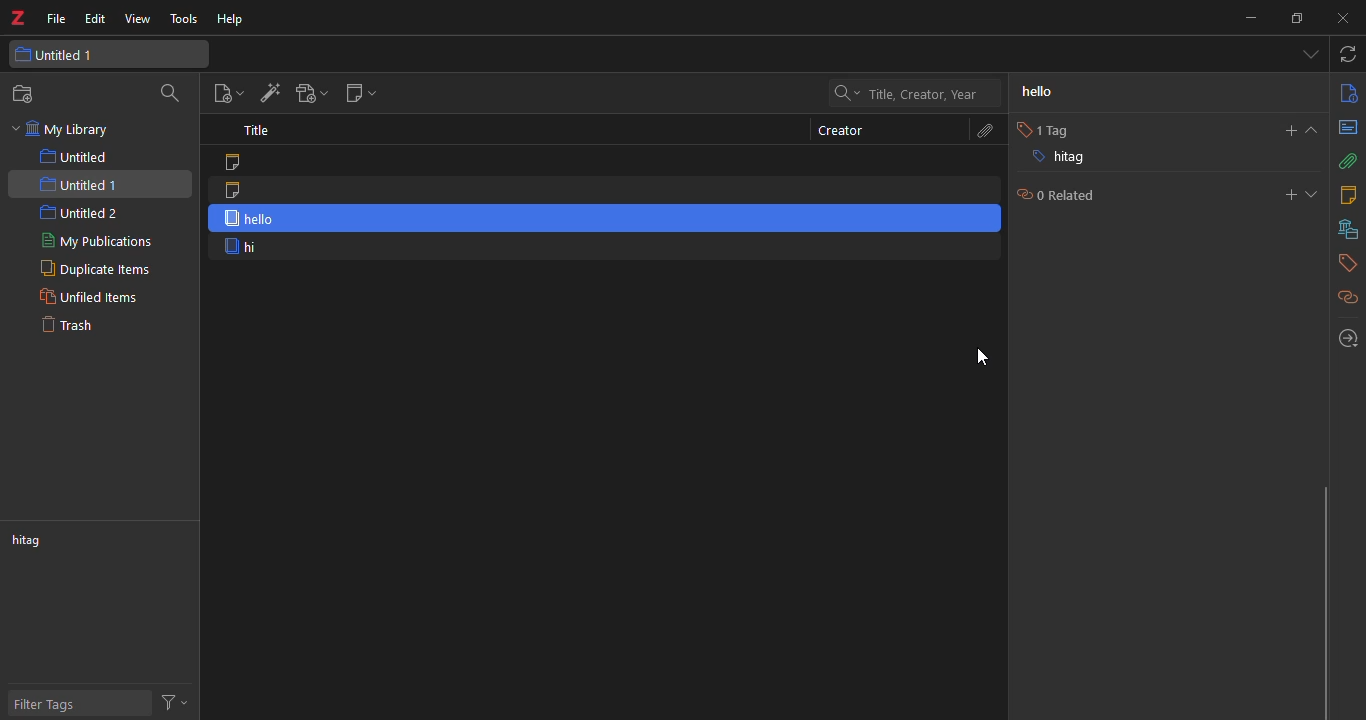  Describe the element at coordinates (183, 19) in the screenshot. I see `tools` at that location.